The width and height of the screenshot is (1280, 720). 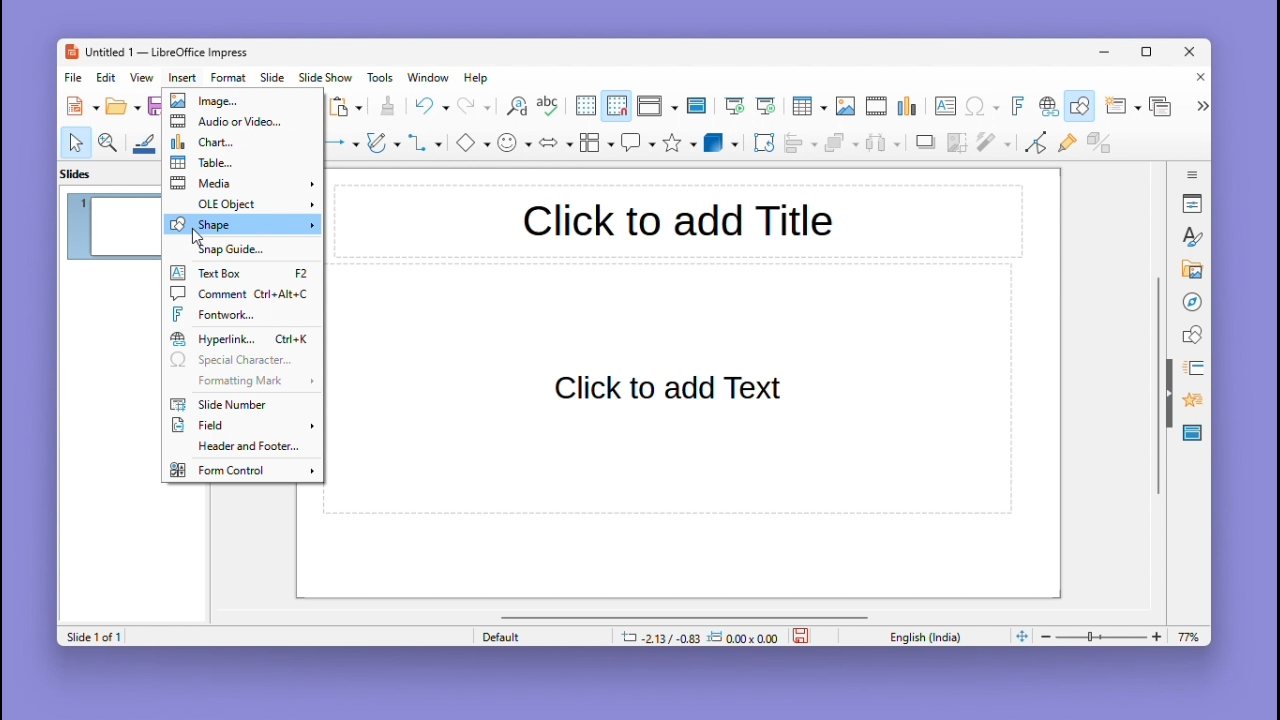 I want to click on save, so click(x=803, y=634).